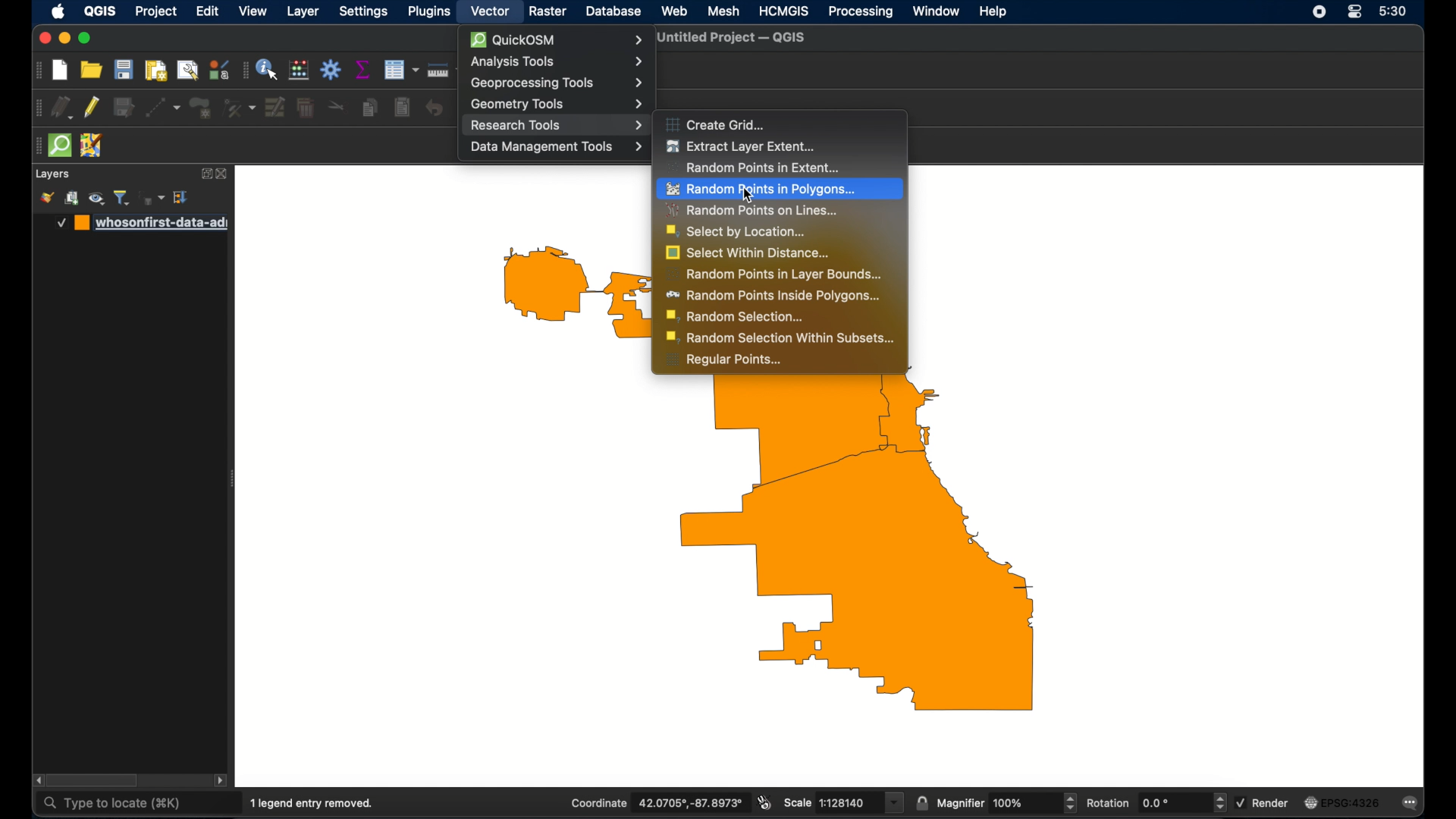  What do you see at coordinates (224, 174) in the screenshot?
I see `close` at bounding box center [224, 174].